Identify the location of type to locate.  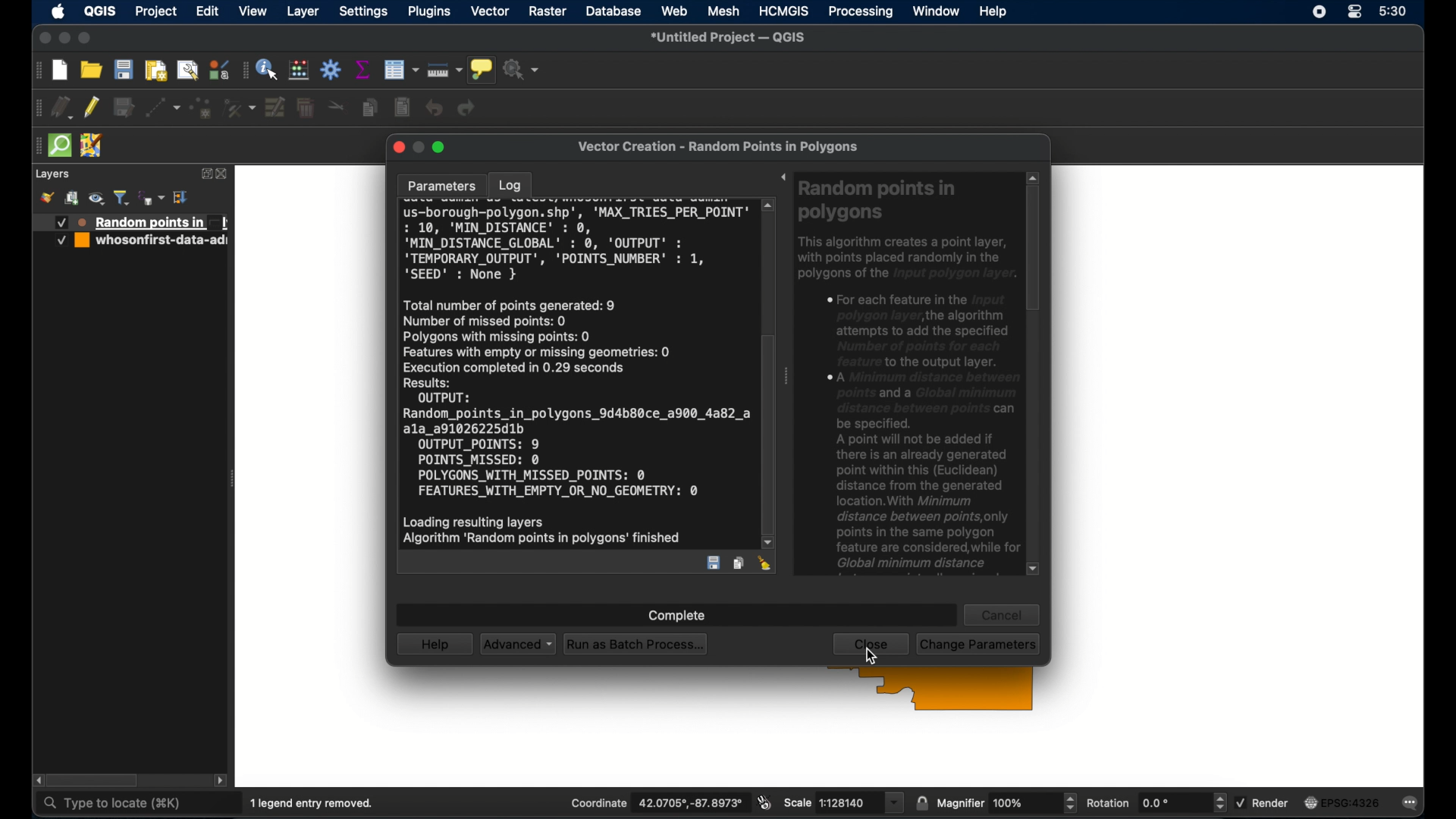
(115, 805).